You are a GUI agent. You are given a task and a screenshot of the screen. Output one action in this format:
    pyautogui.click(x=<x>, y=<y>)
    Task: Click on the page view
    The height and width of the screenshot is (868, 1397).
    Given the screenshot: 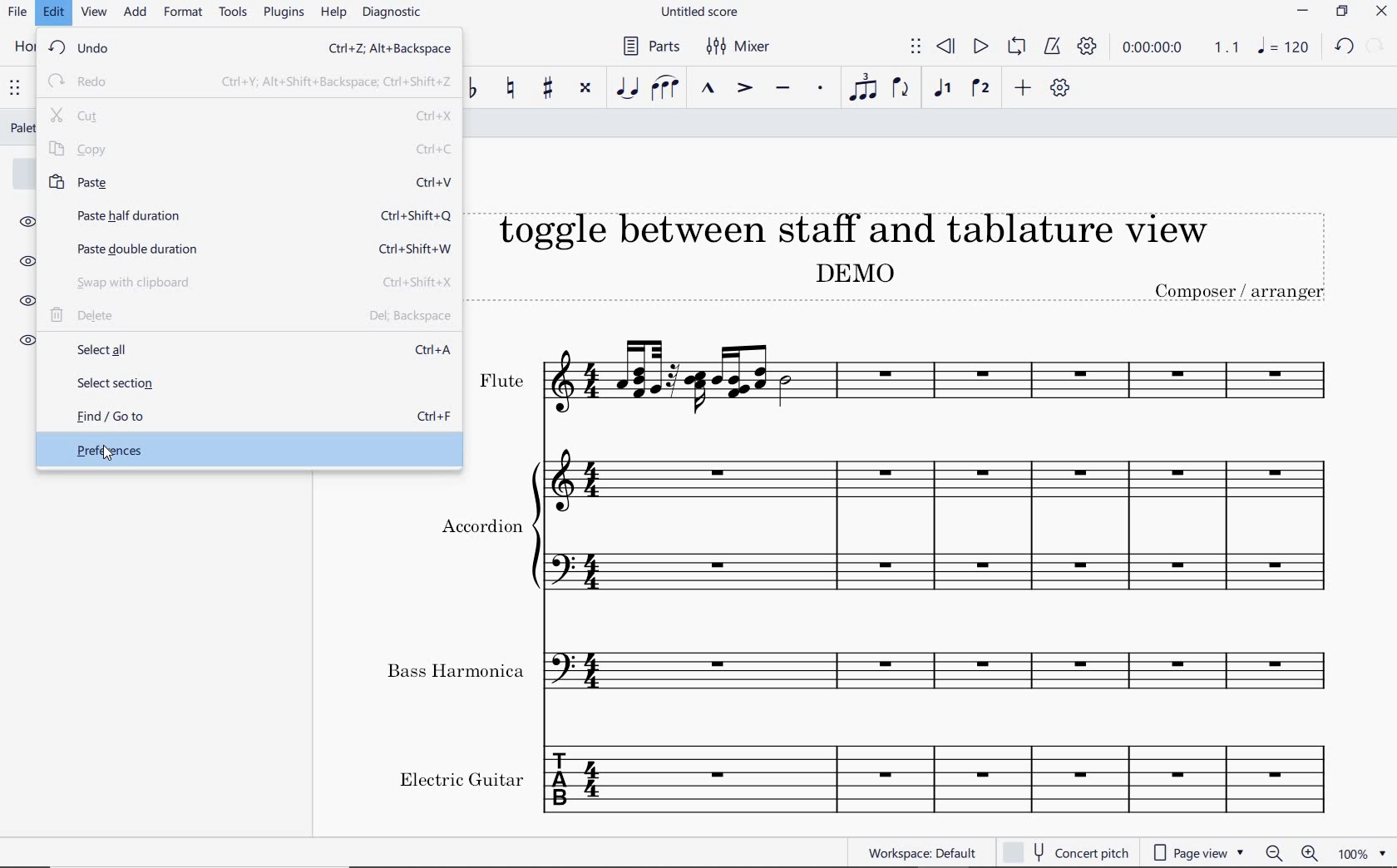 What is the action you would take?
    pyautogui.click(x=1199, y=852)
    